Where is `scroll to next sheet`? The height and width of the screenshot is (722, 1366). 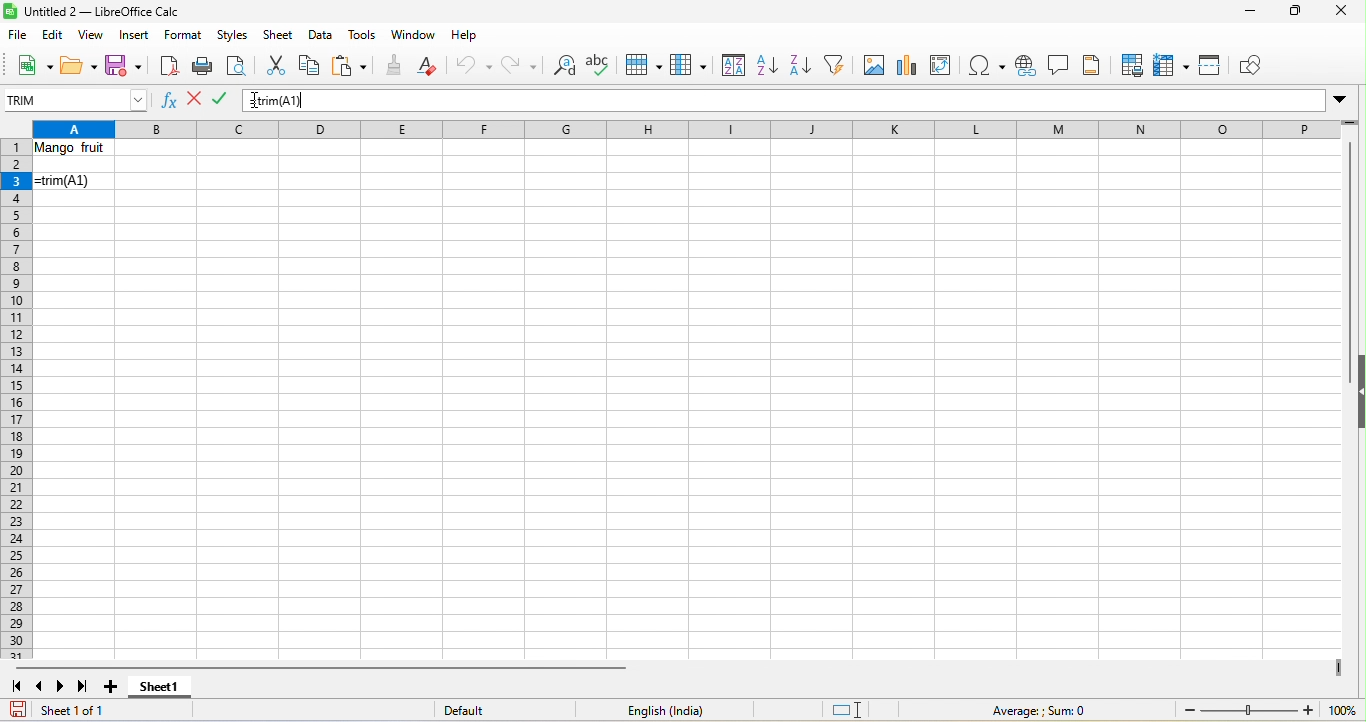 scroll to next sheet is located at coordinates (59, 687).